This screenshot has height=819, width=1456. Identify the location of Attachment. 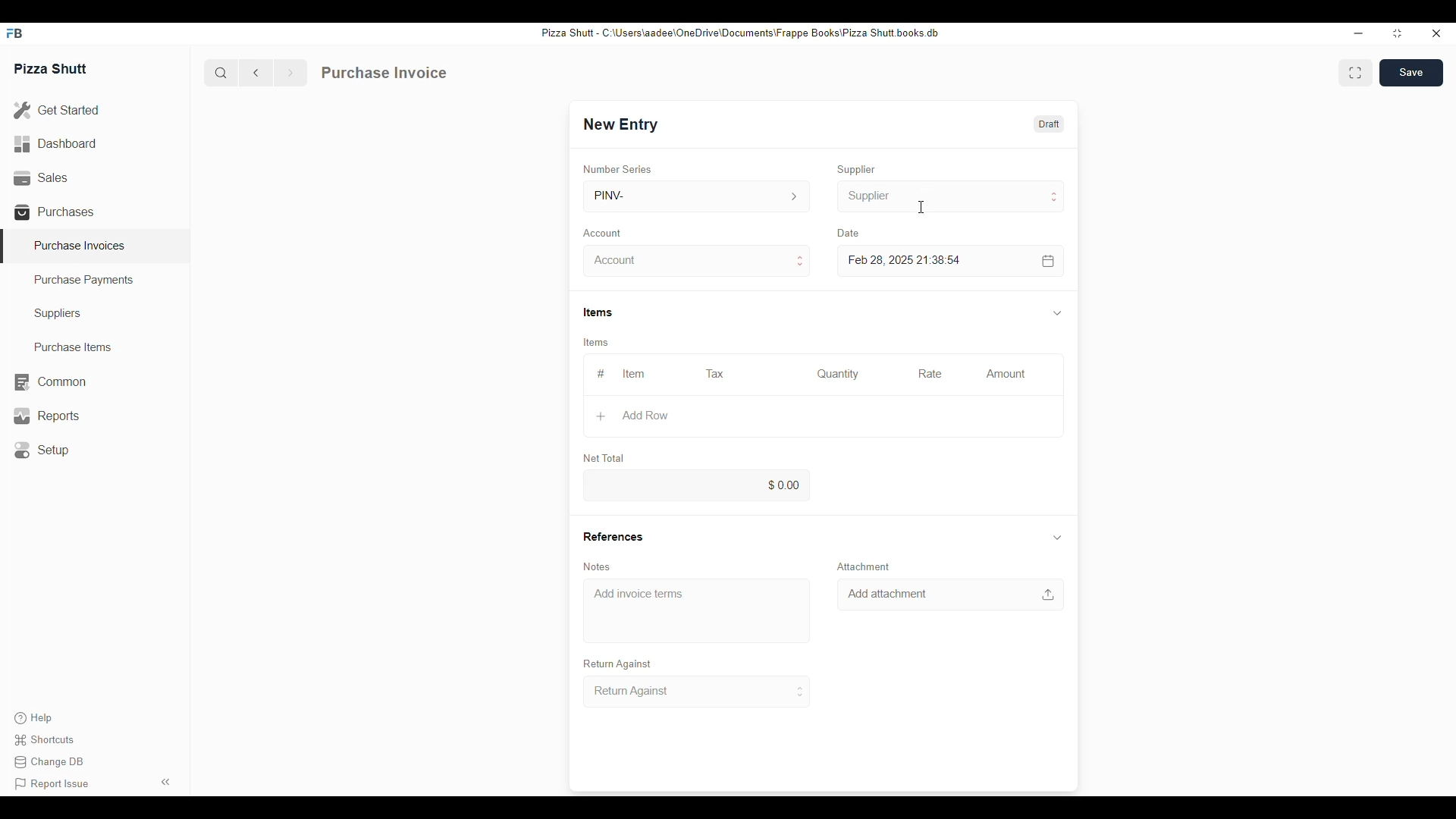
(864, 566).